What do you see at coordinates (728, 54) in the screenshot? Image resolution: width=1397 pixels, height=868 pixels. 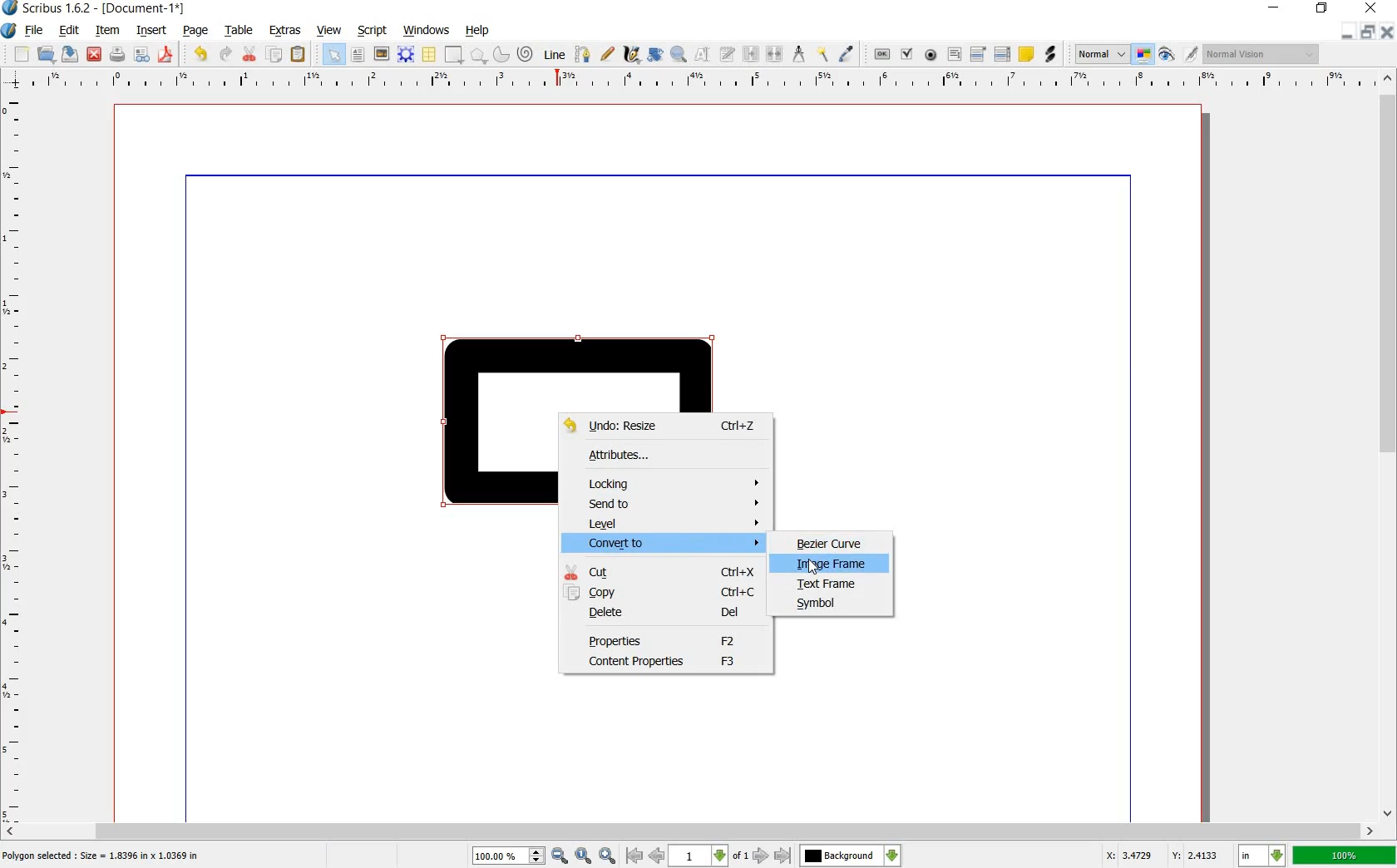 I see `edit text with story editor` at bounding box center [728, 54].